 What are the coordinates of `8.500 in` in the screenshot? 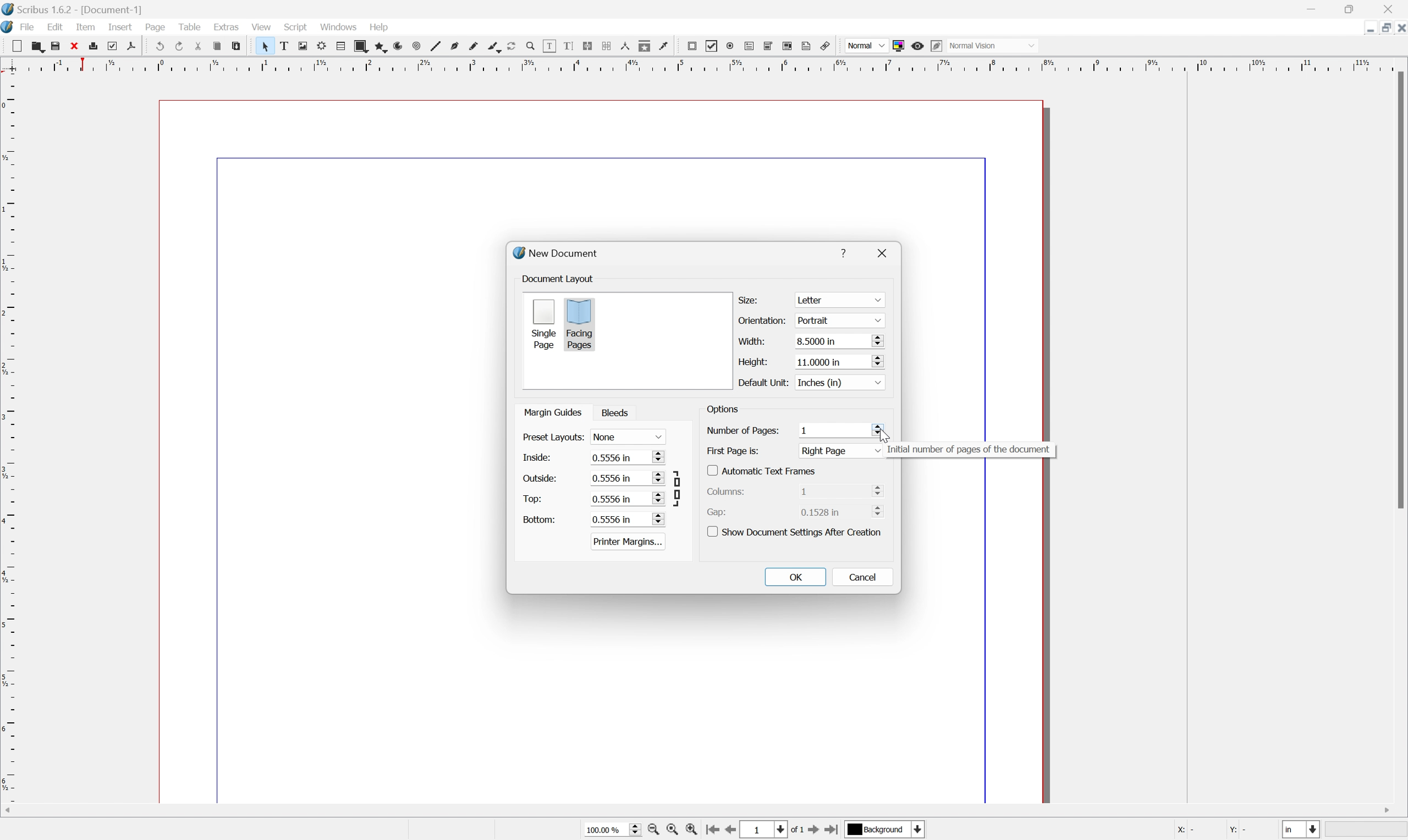 It's located at (839, 342).